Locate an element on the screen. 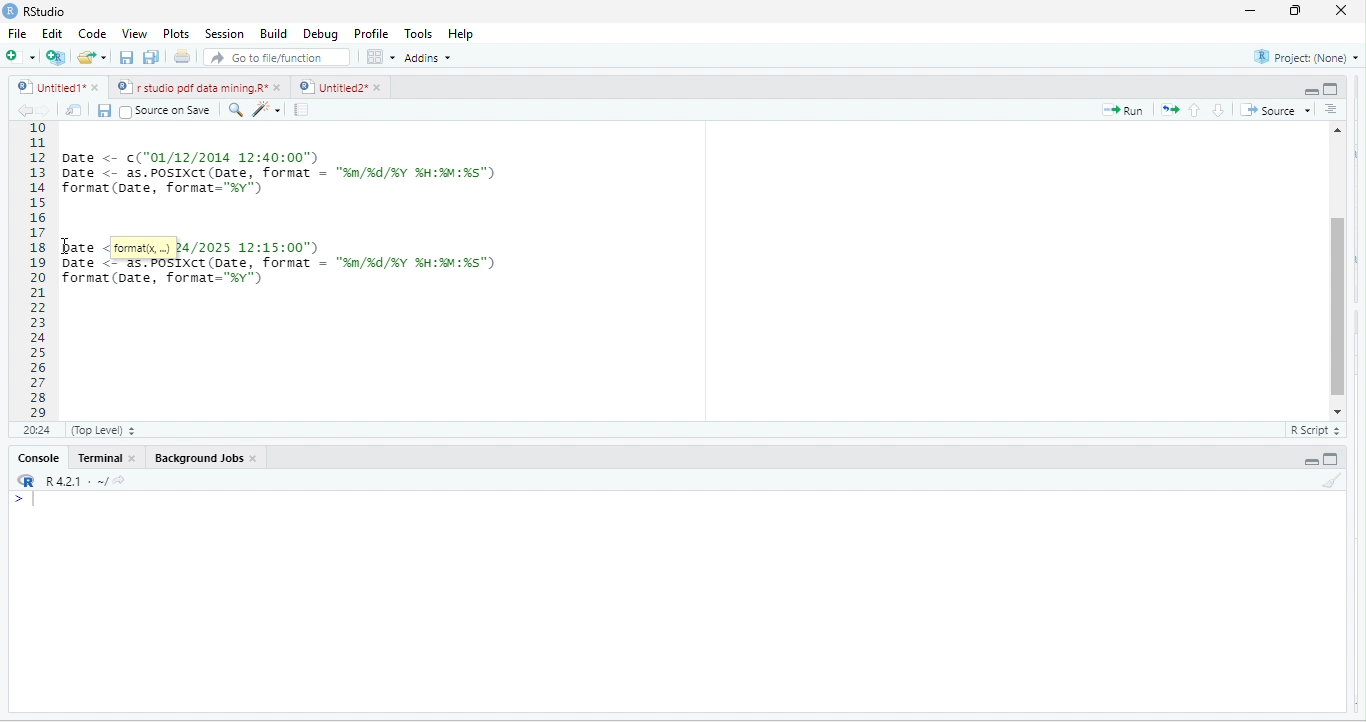 The width and height of the screenshot is (1366, 722). terminal is located at coordinates (101, 460).